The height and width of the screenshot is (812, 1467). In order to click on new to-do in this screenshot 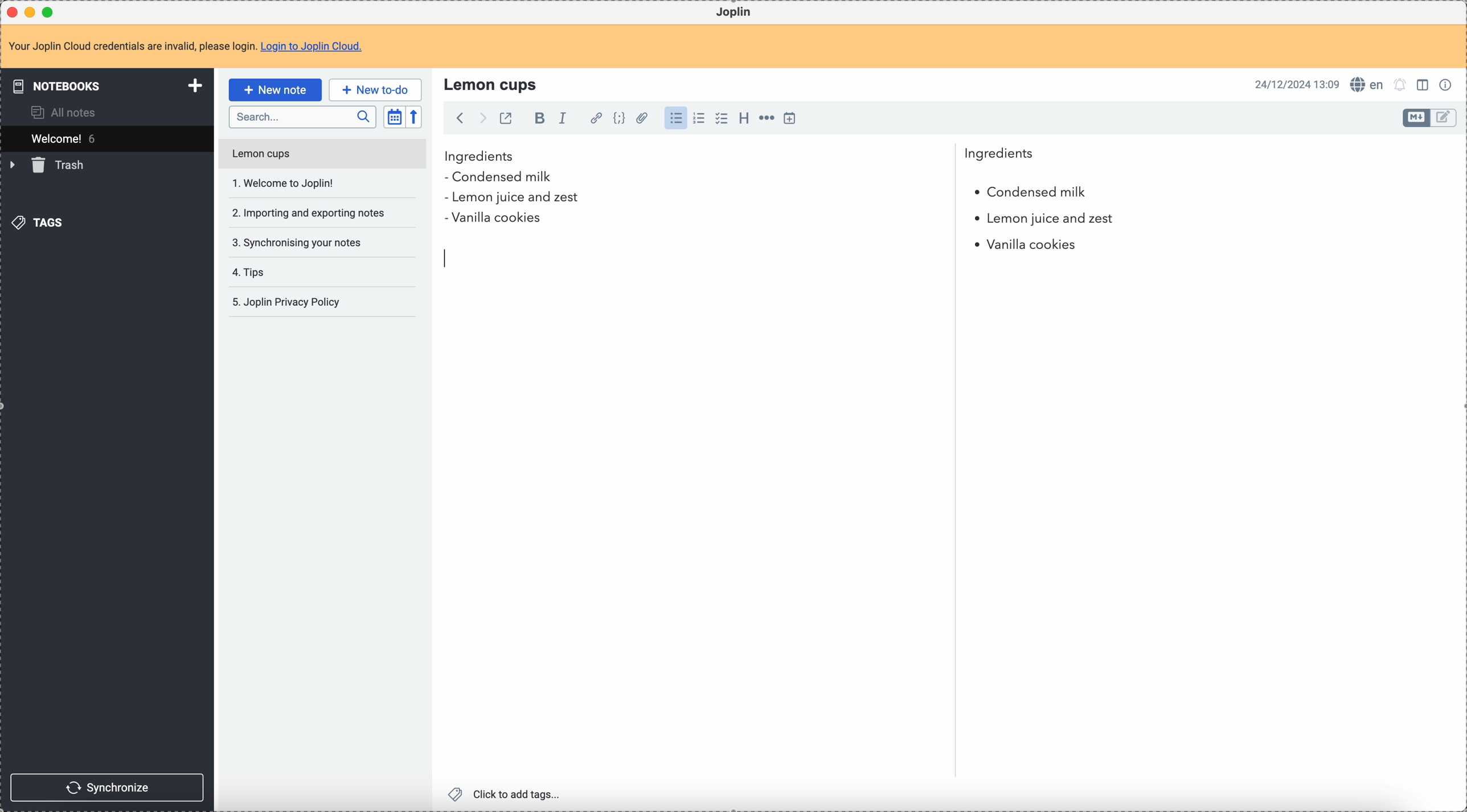, I will do `click(375, 89)`.